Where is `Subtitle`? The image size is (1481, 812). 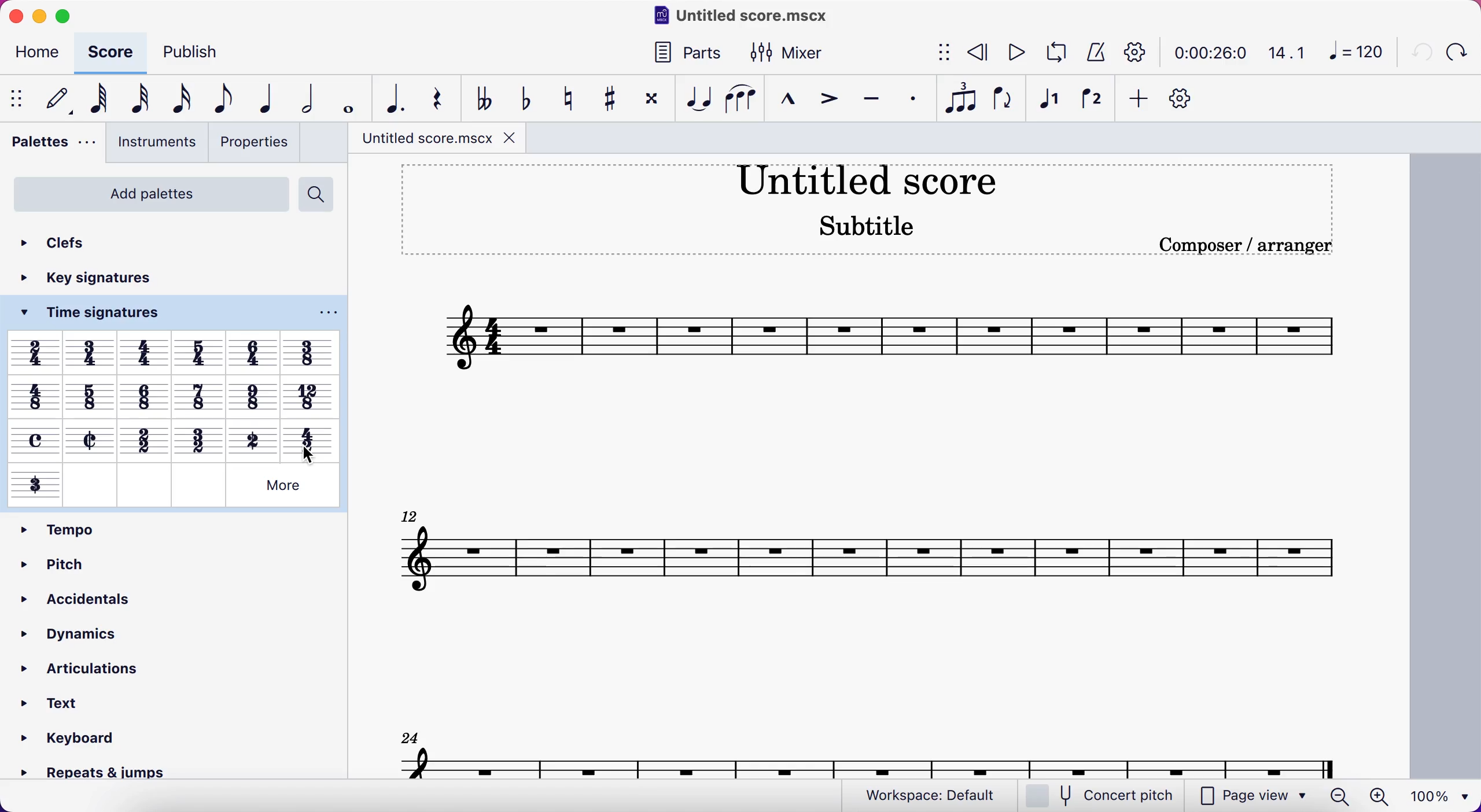 Subtitle is located at coordinates (868, 223).